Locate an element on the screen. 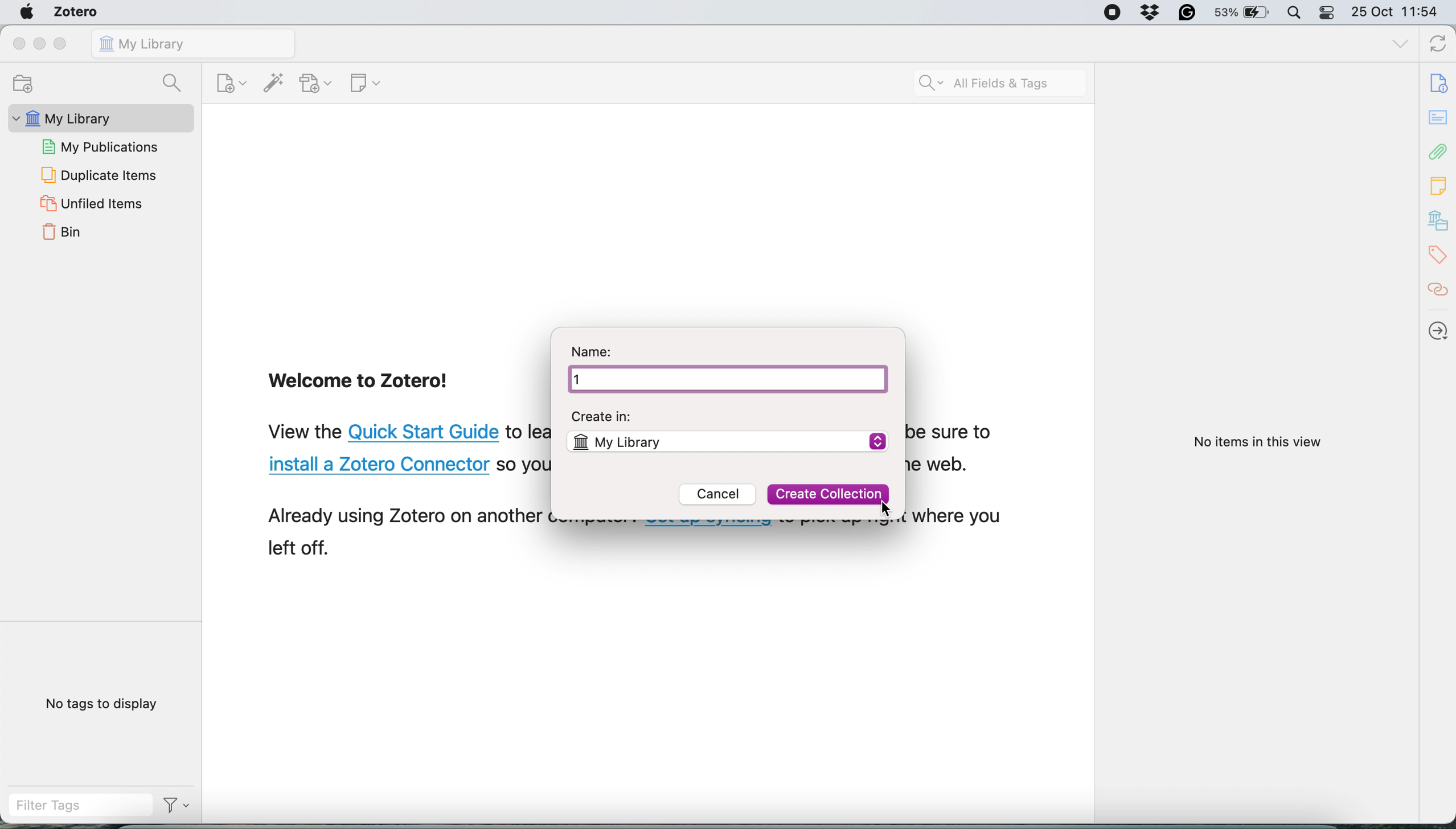 This screenshot has width=1456, height=829. Cursor Position is located at coordinates (887, 508).